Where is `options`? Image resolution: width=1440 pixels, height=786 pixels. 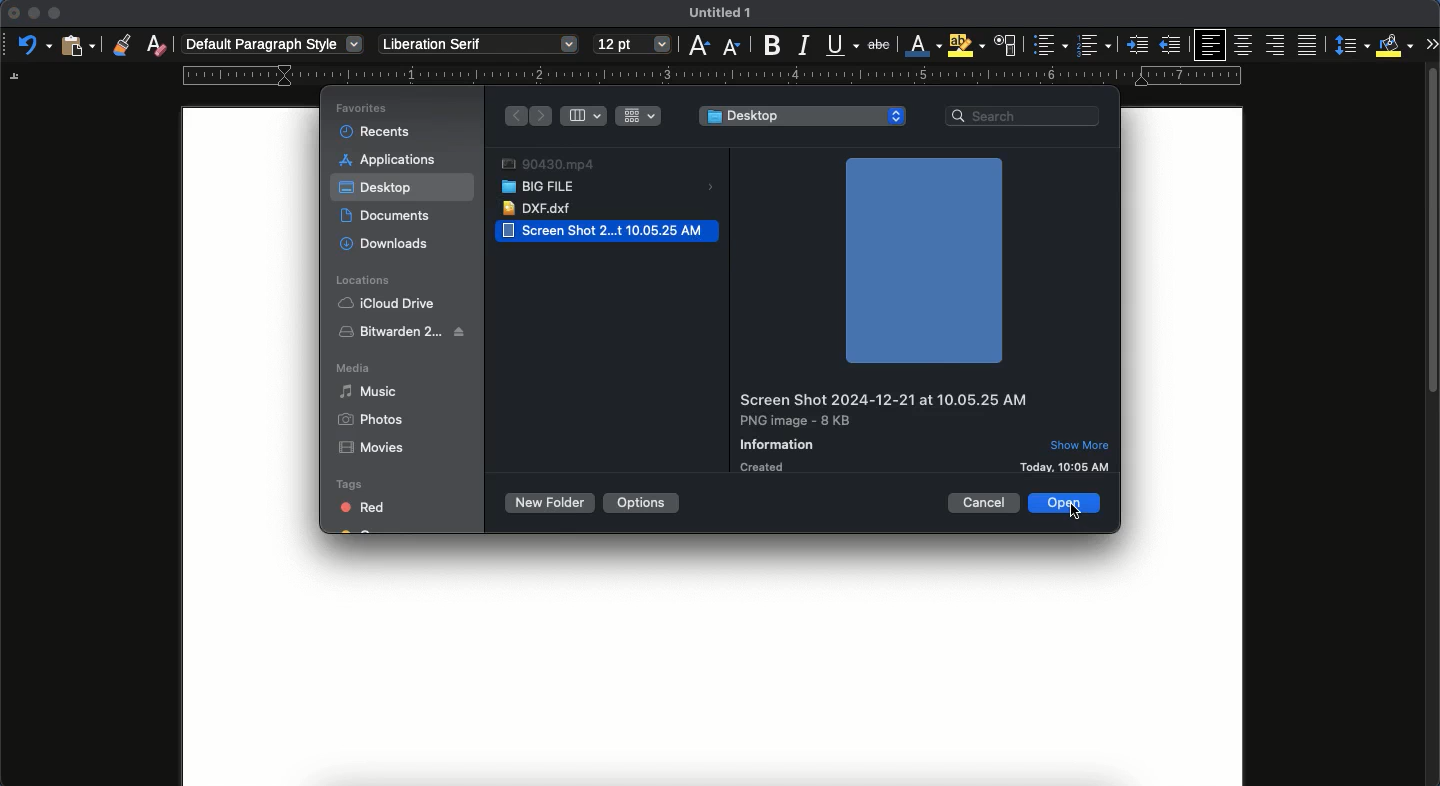 options is located at coordinates (645, 501).